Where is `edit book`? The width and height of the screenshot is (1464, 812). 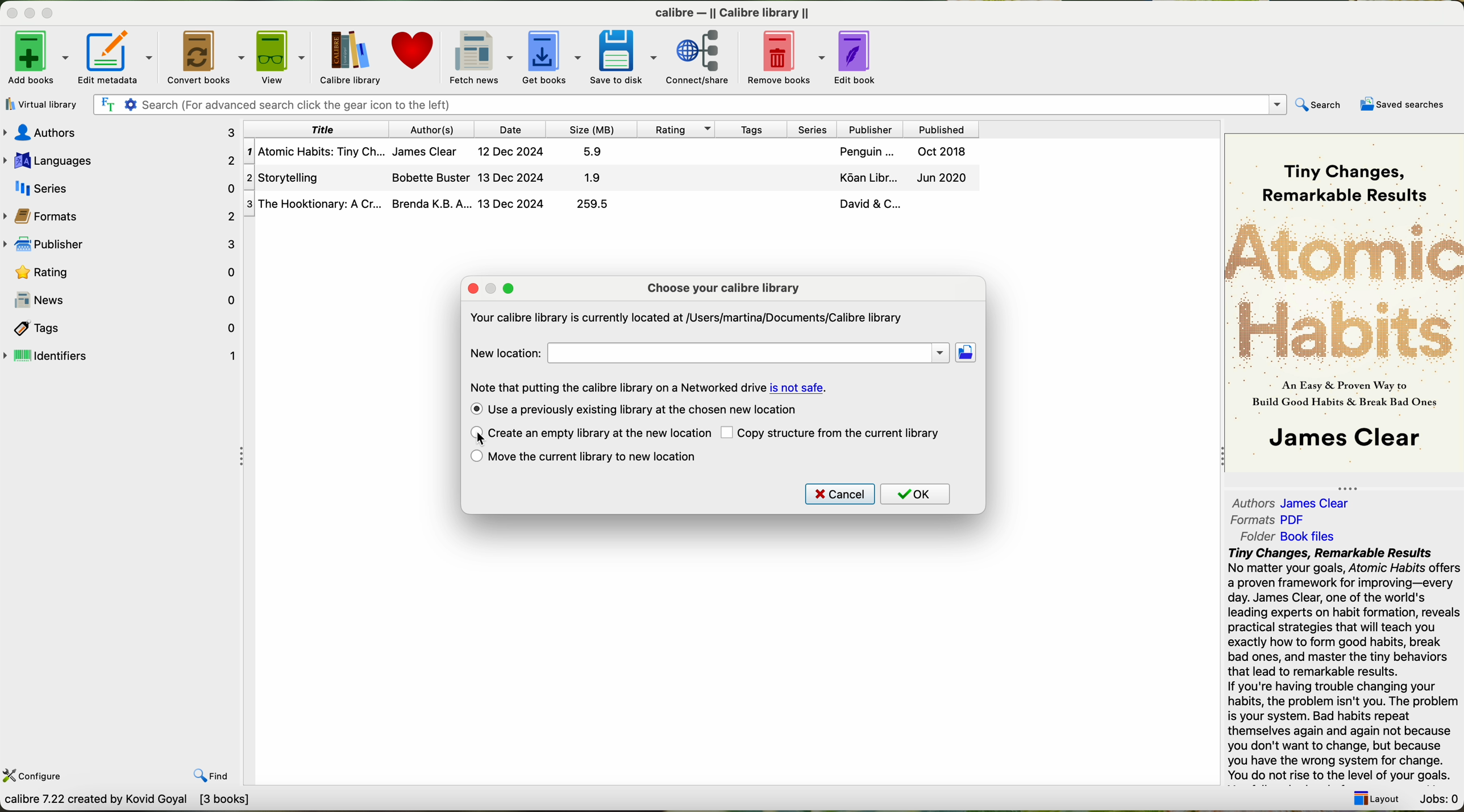
edit book is located at coordinates (860, 55).